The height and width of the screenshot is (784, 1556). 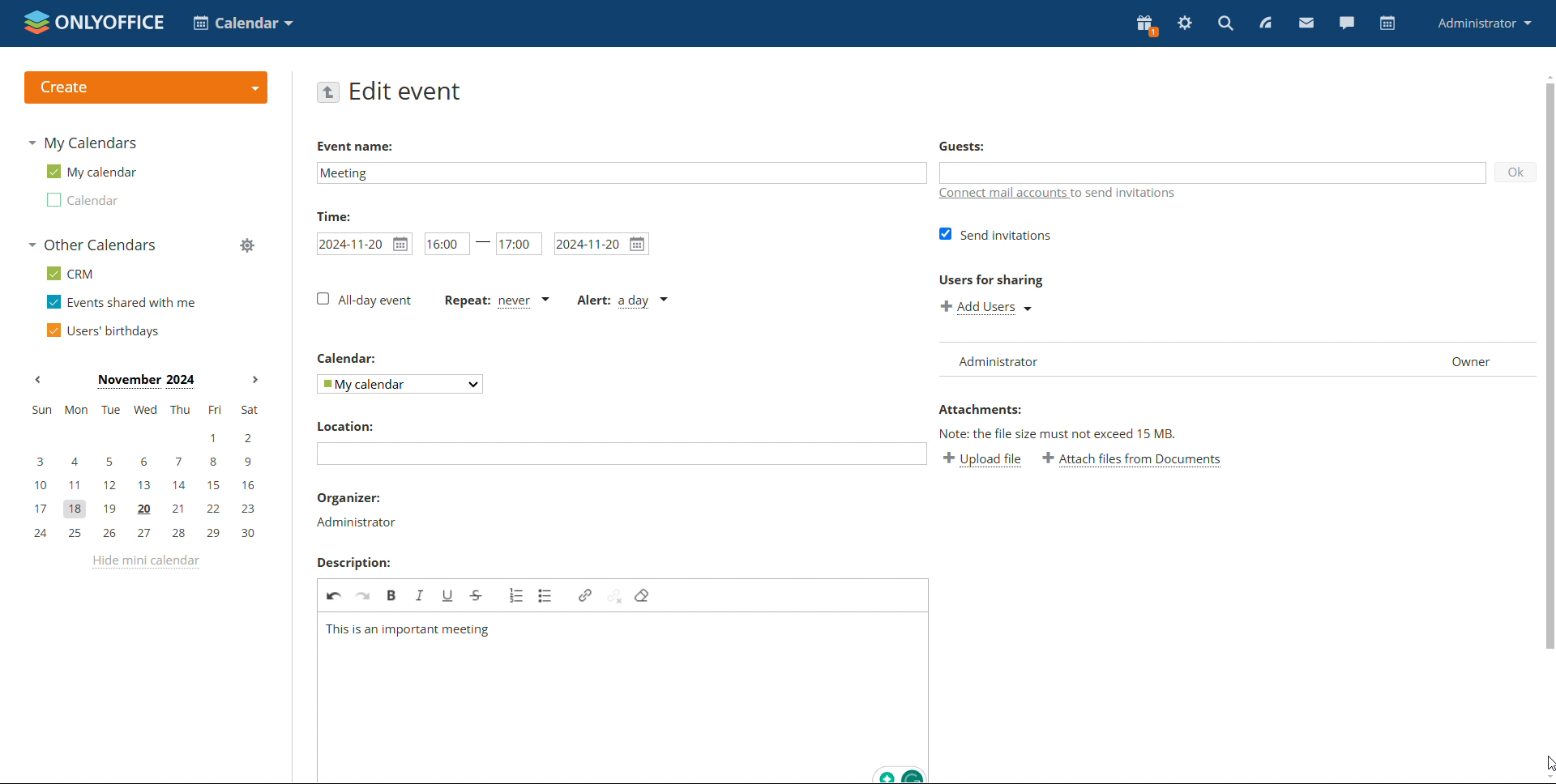 I want to click on bold, so click(x=394, y=595).